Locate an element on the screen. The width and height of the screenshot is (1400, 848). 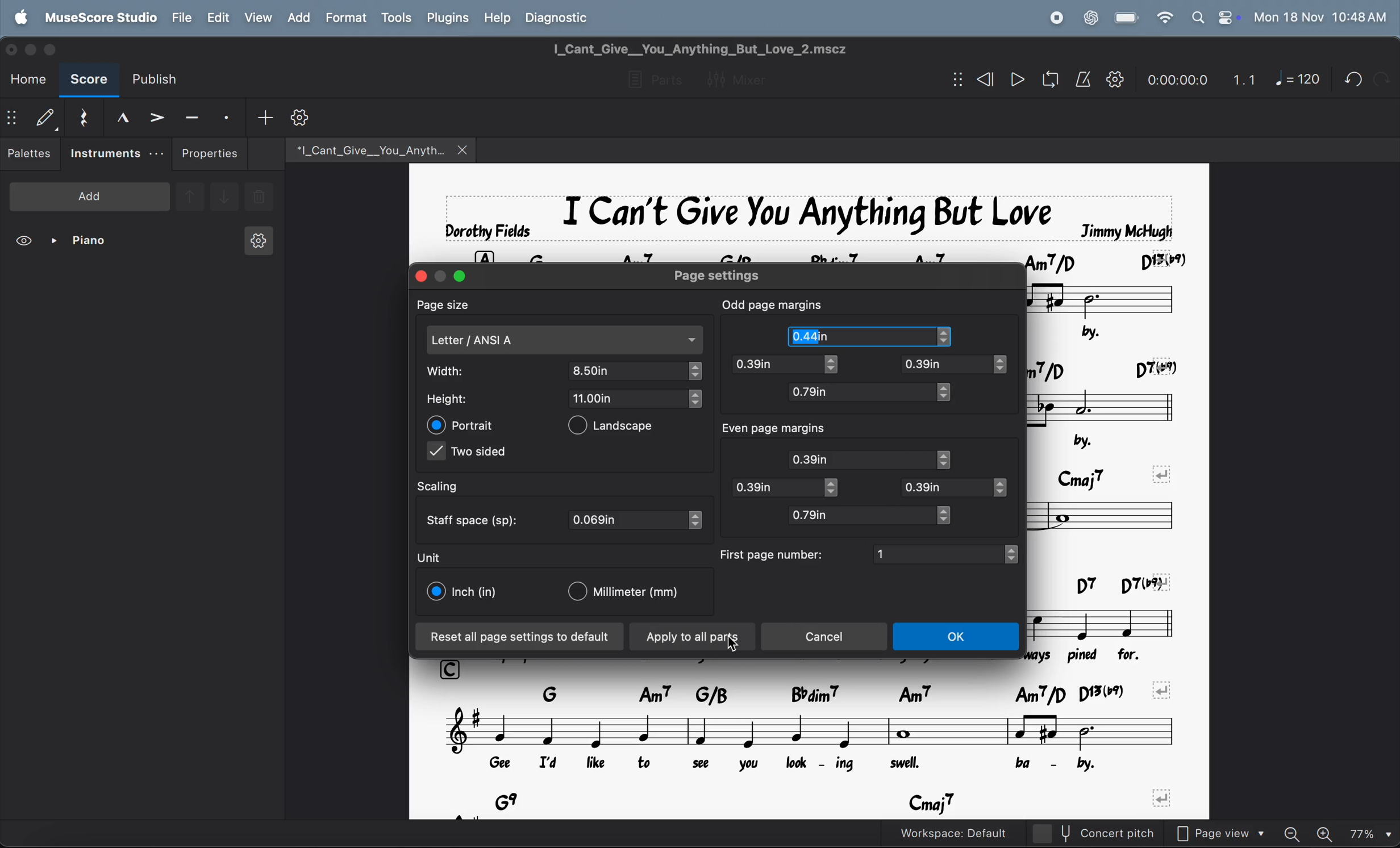
staccato is located at coordinates (228, 116).